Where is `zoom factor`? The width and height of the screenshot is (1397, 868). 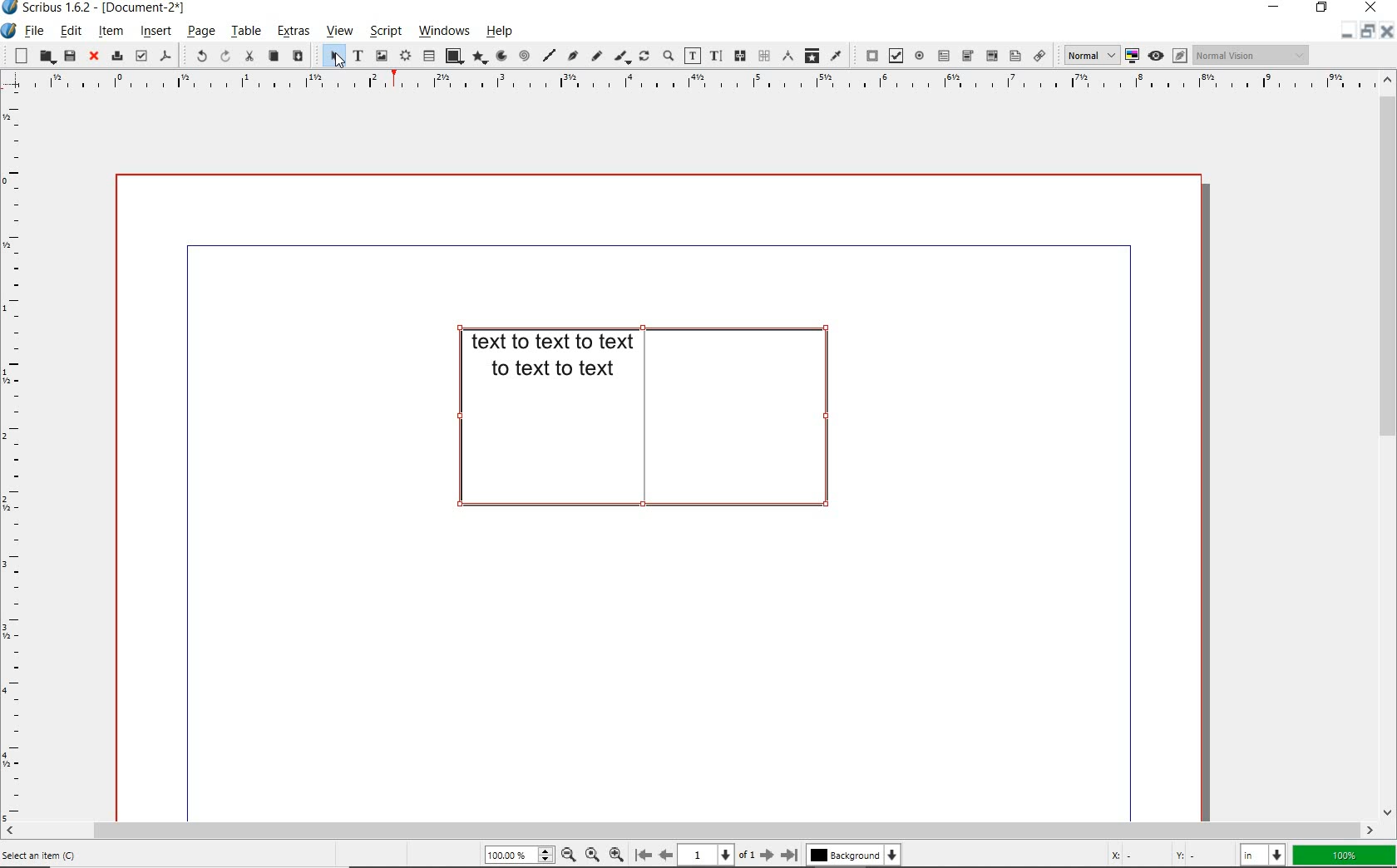
zoom factor is located at coordinates (1343, 854).